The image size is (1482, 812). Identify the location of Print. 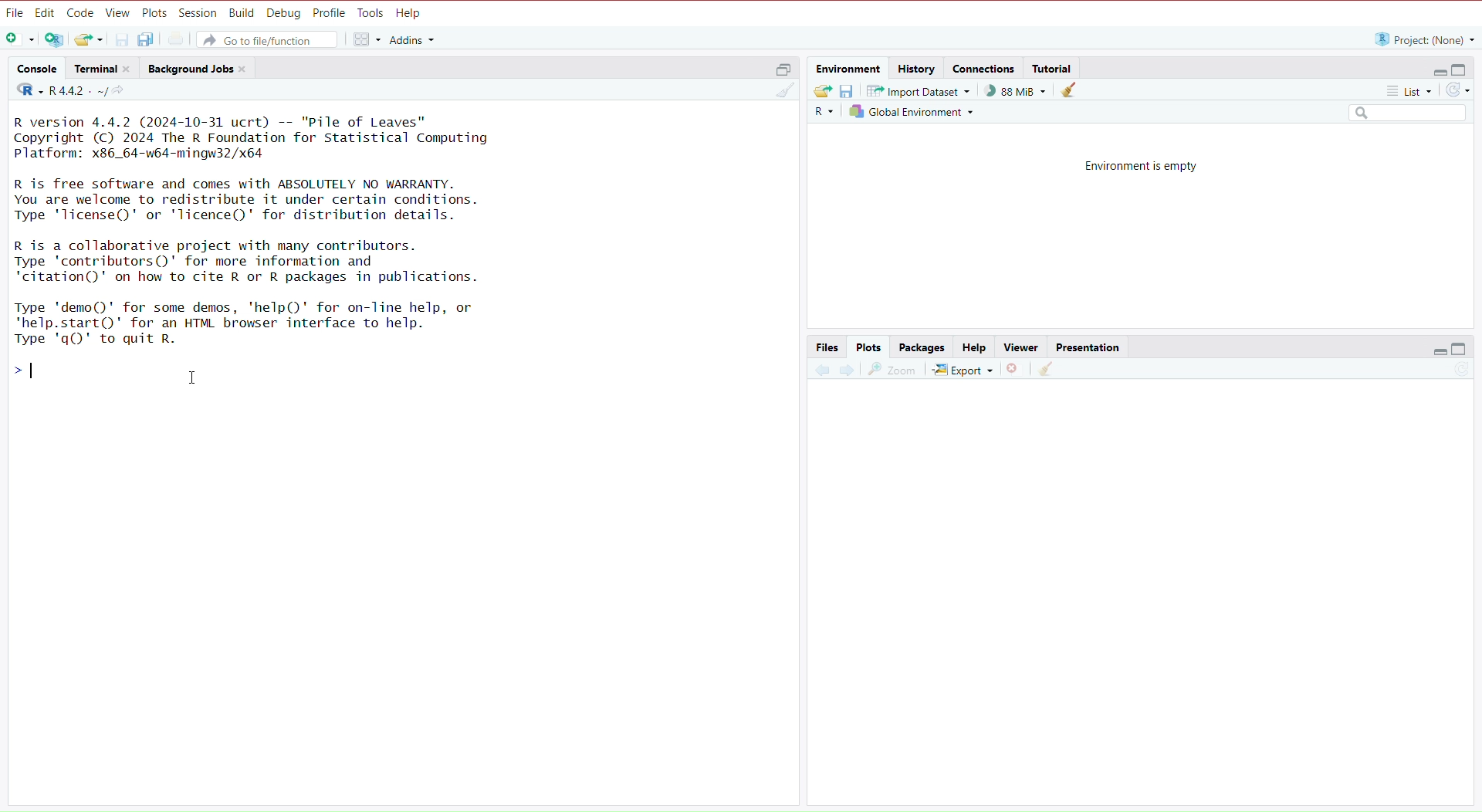
(175, 39).